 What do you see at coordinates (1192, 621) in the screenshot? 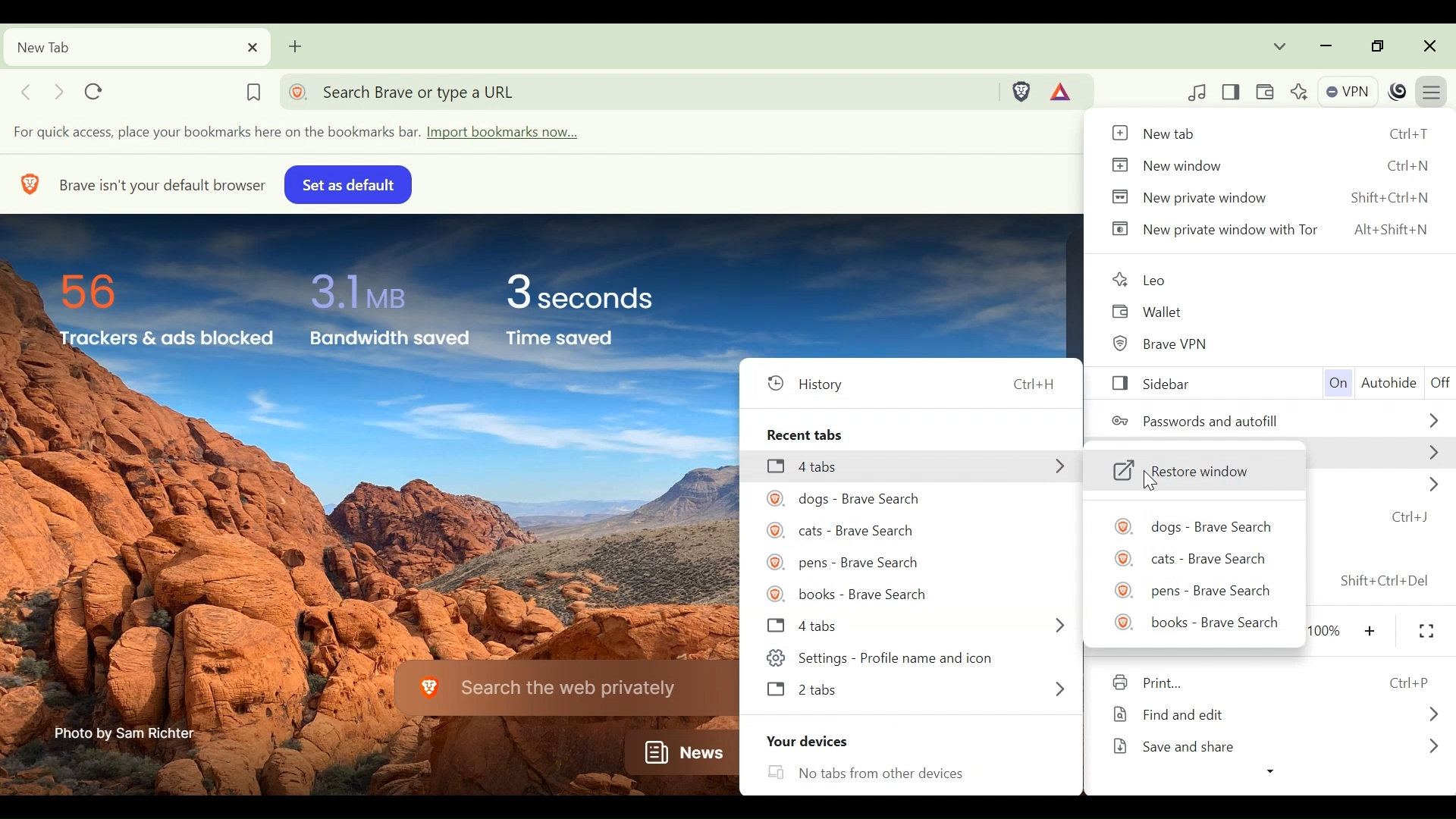
I see `books - Brave Search` at bounding box center [1192, 621].